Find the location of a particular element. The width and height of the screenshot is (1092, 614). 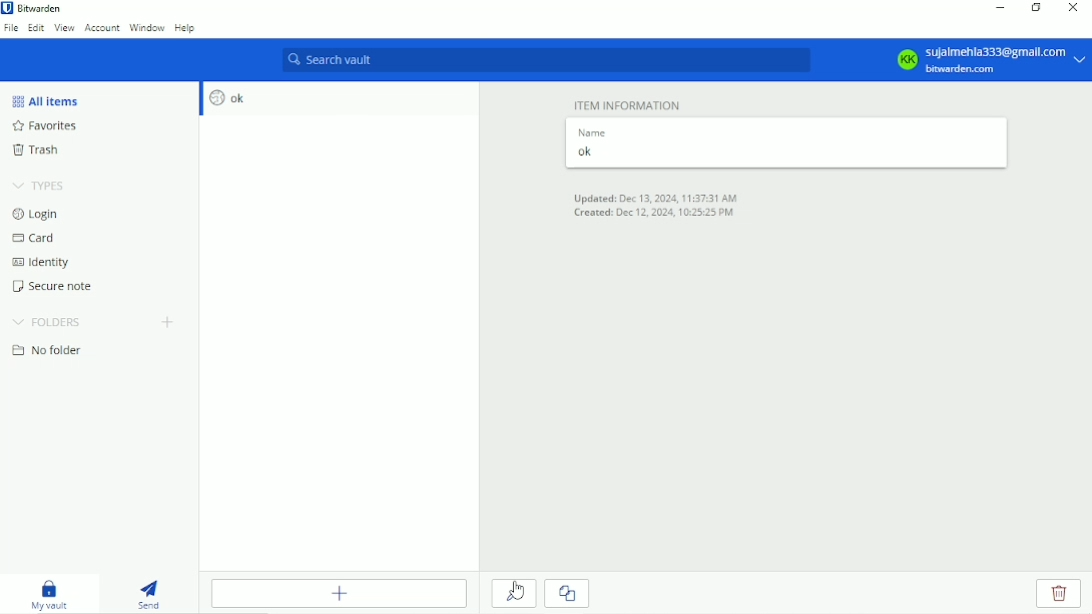

Minimize is located at coordinates (1001, 7).